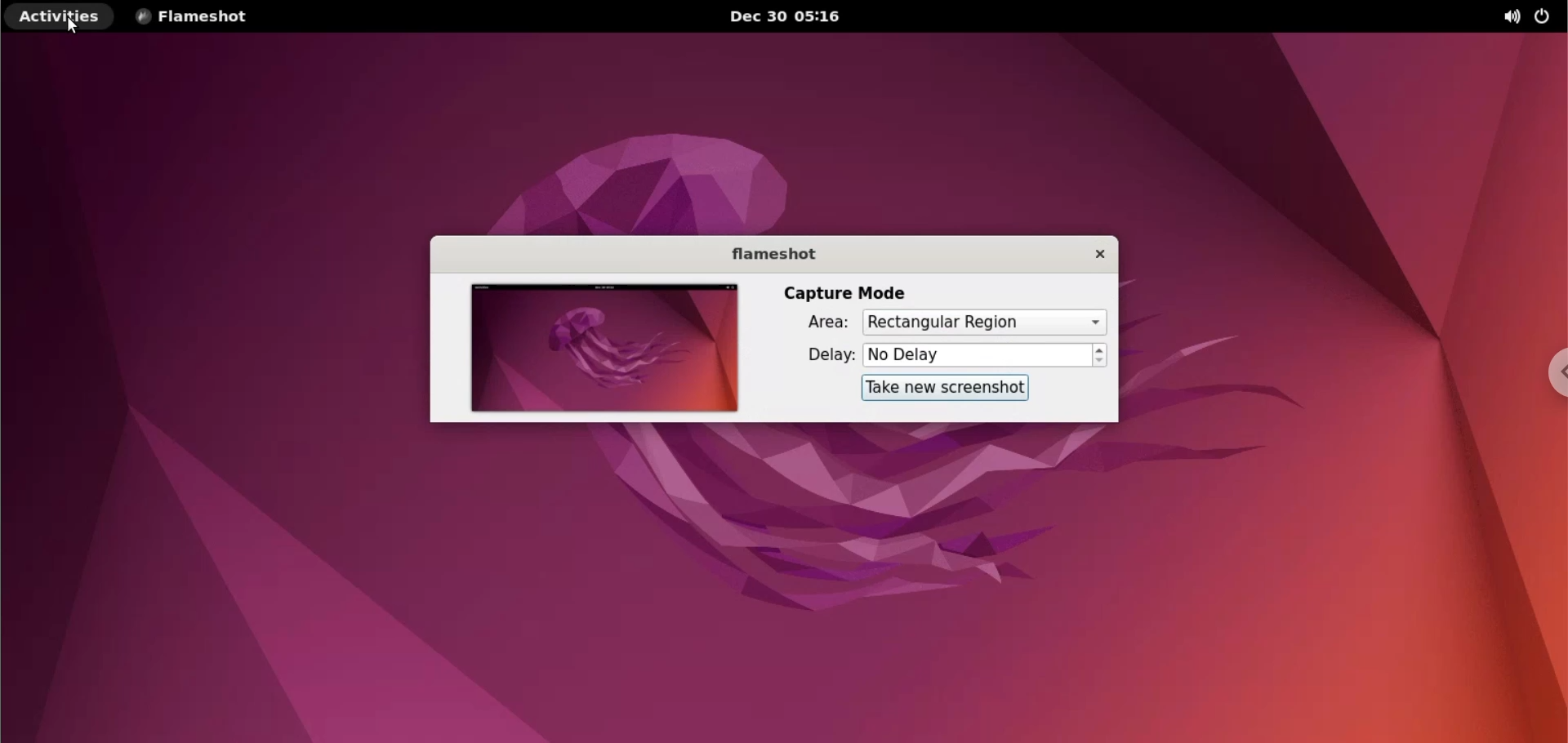  Describe the element at coordinates (62, 17) in the screenshot. I see `Activities` at that location.